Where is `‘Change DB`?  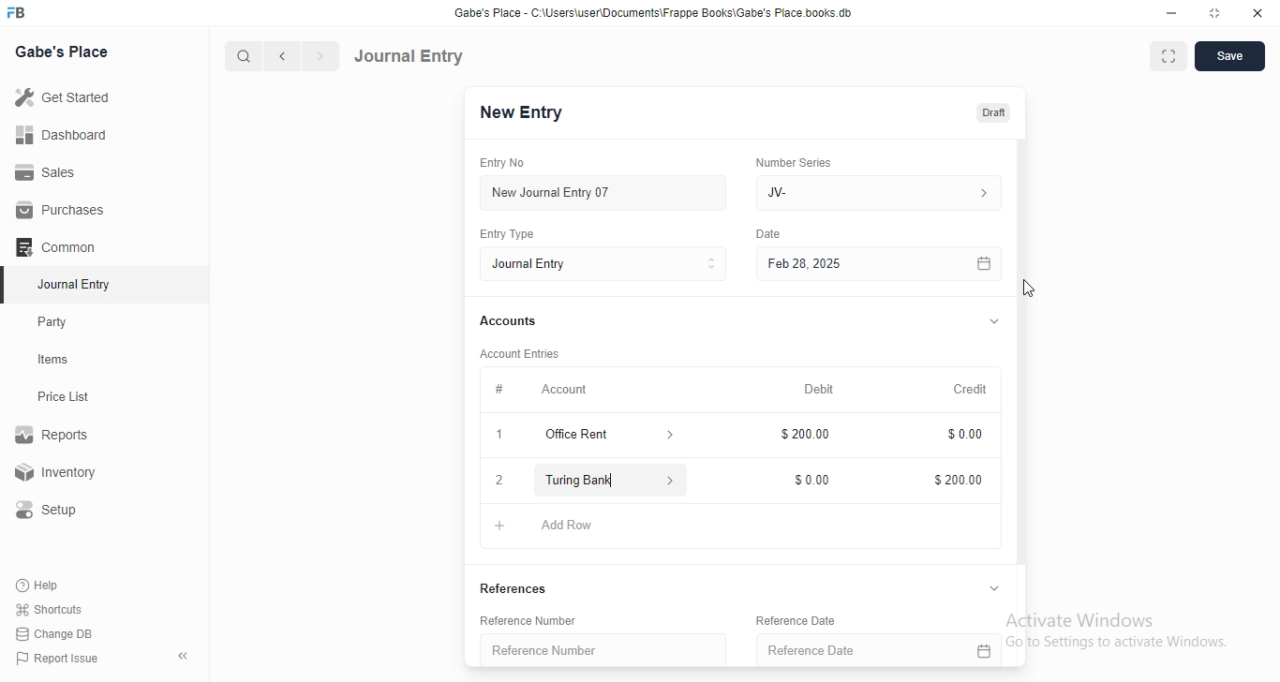
‘Change DB is located at coordinates (55, 634).